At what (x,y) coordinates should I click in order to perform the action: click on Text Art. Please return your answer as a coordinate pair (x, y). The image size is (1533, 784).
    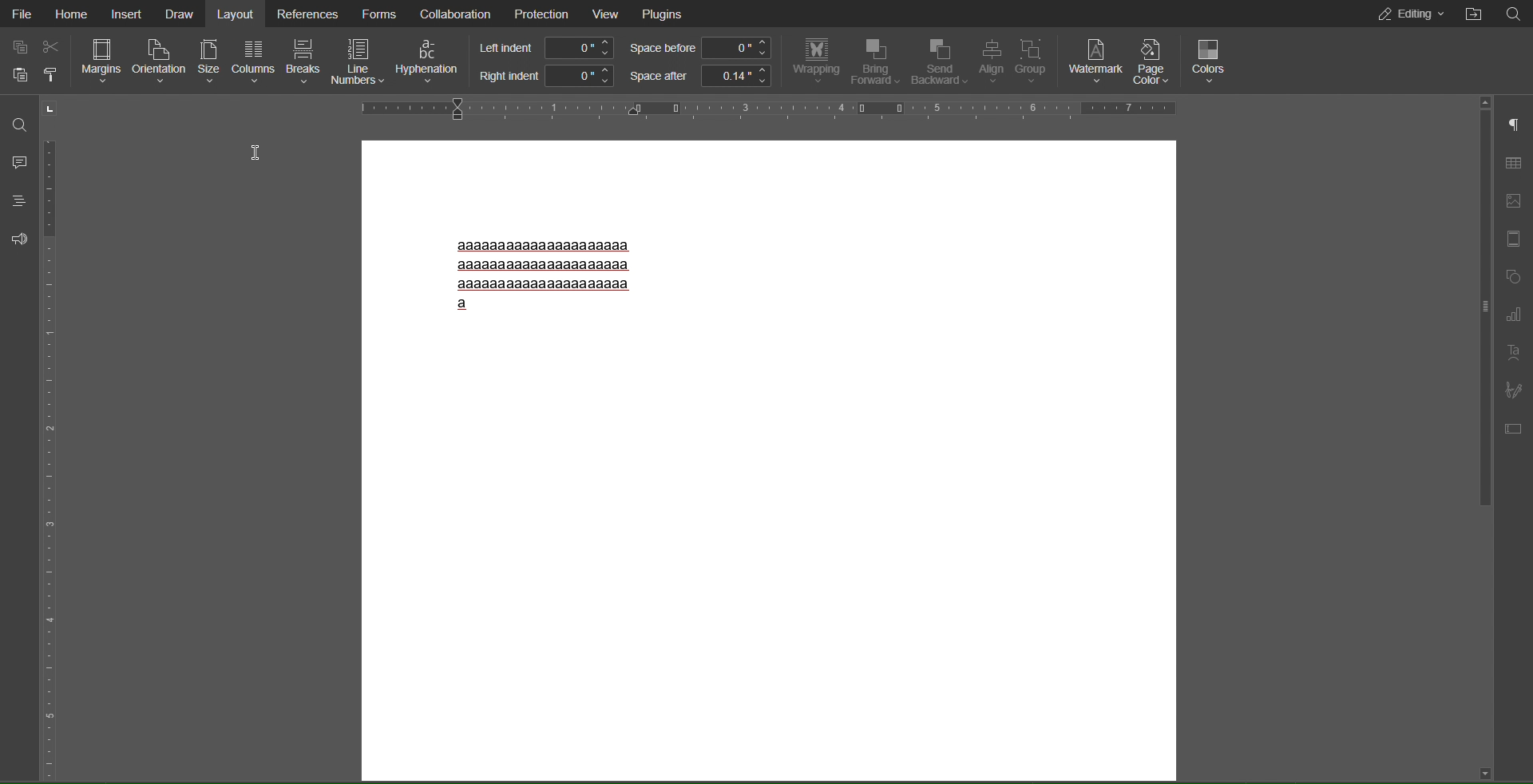
    Looking at the image, I should click on (1514, 352).